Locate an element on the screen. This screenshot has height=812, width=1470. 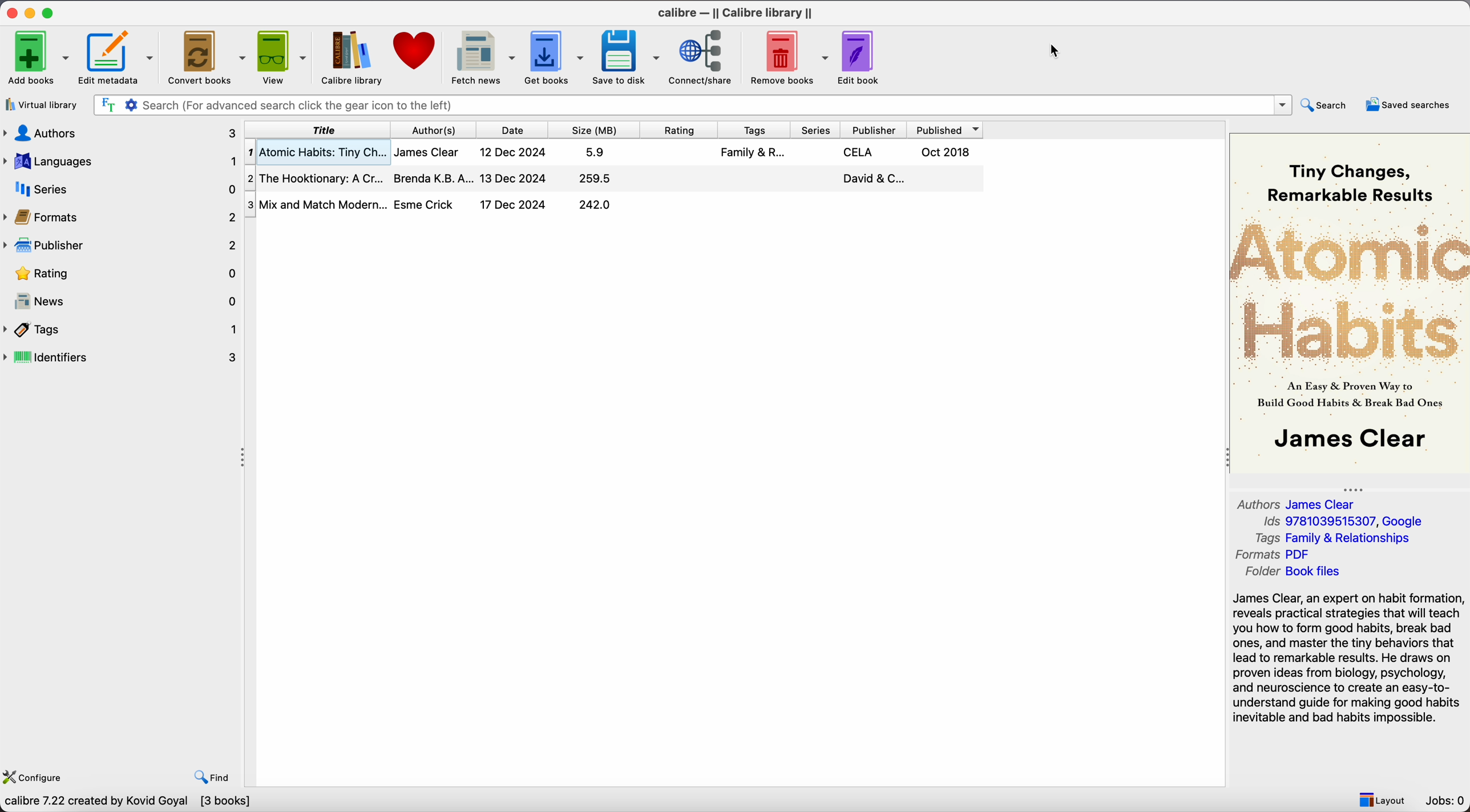
5.9 is located at coordinates (597, 152).